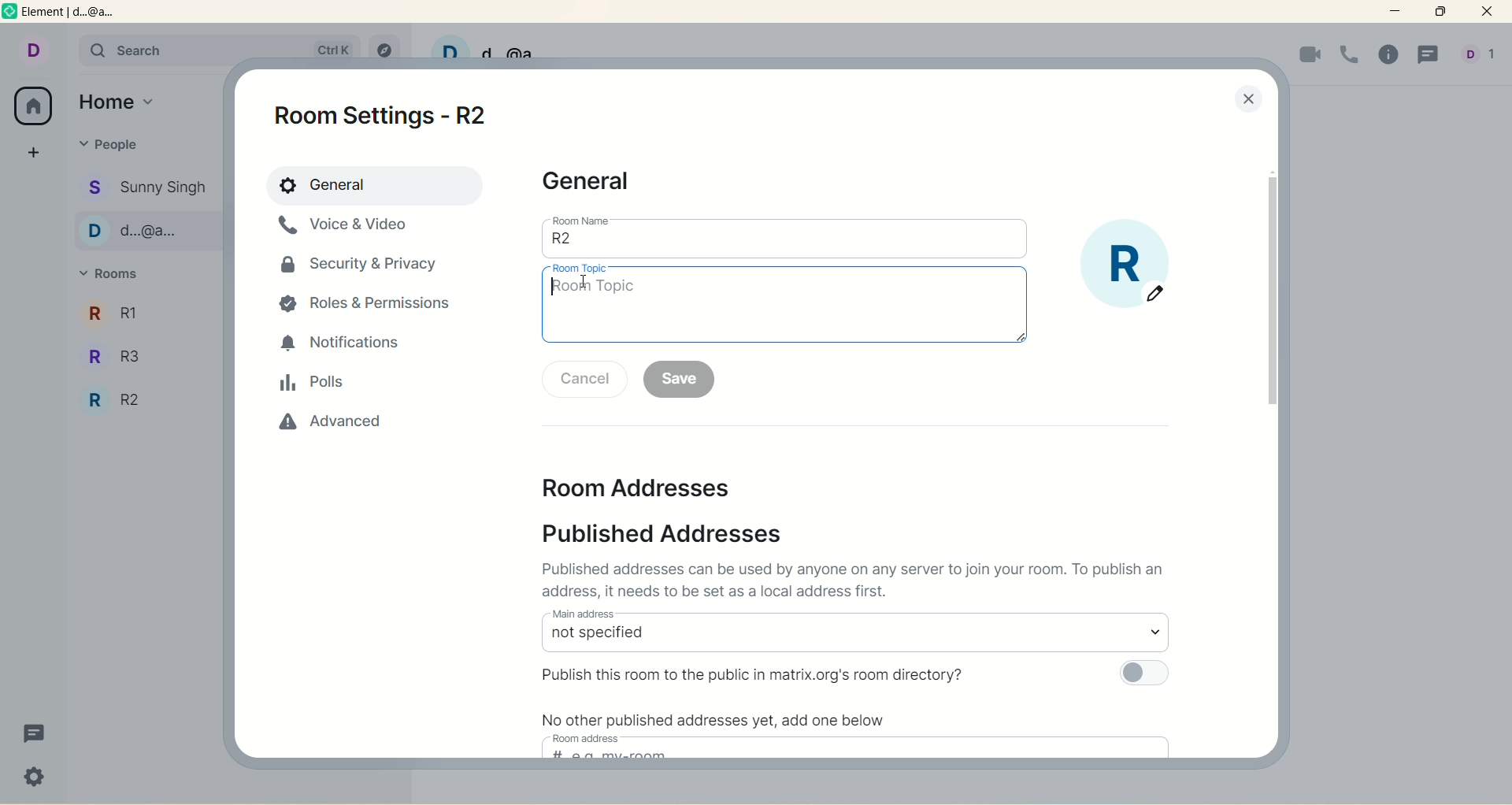  I want to click on voice & video, so click(350, 232).